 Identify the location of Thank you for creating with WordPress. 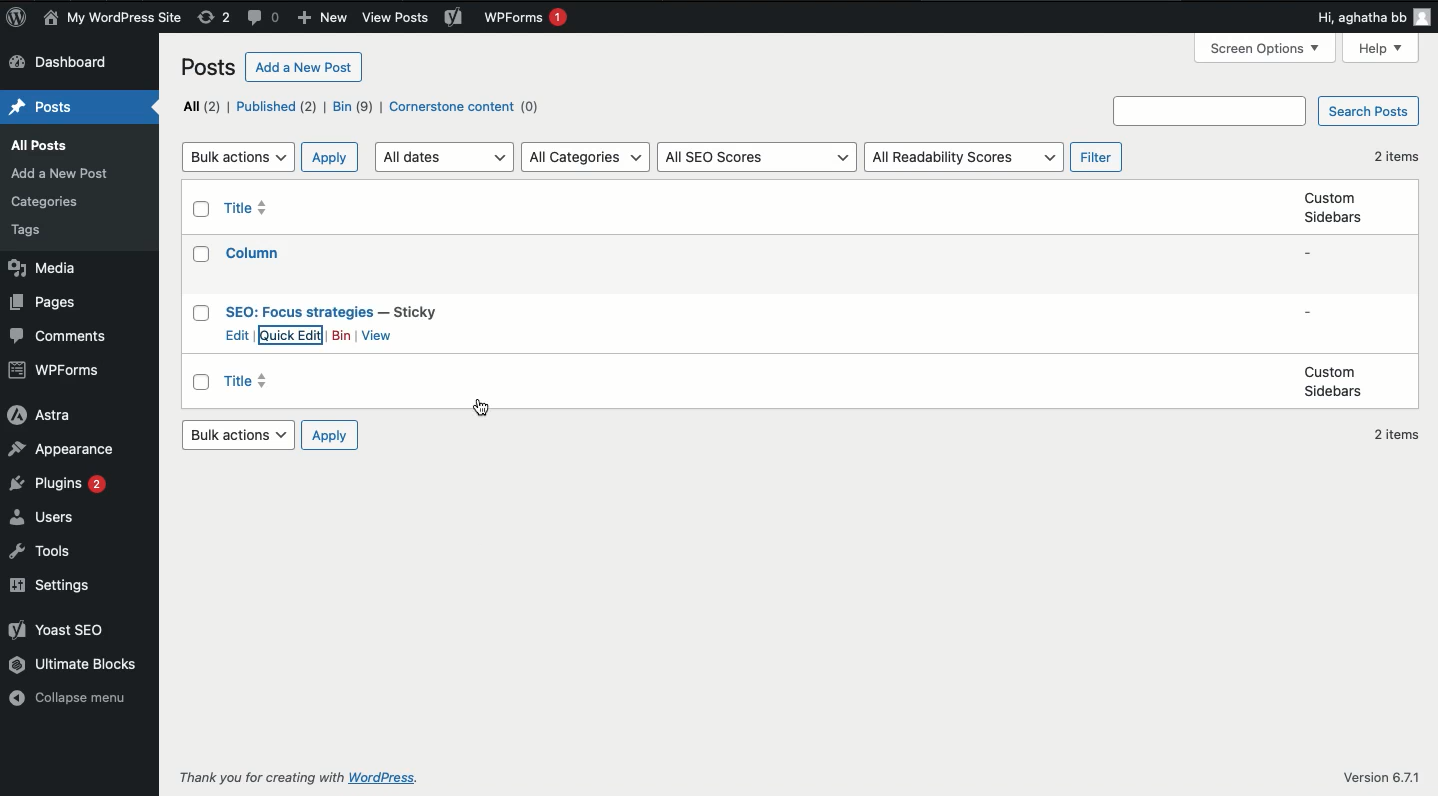
(261, 777).